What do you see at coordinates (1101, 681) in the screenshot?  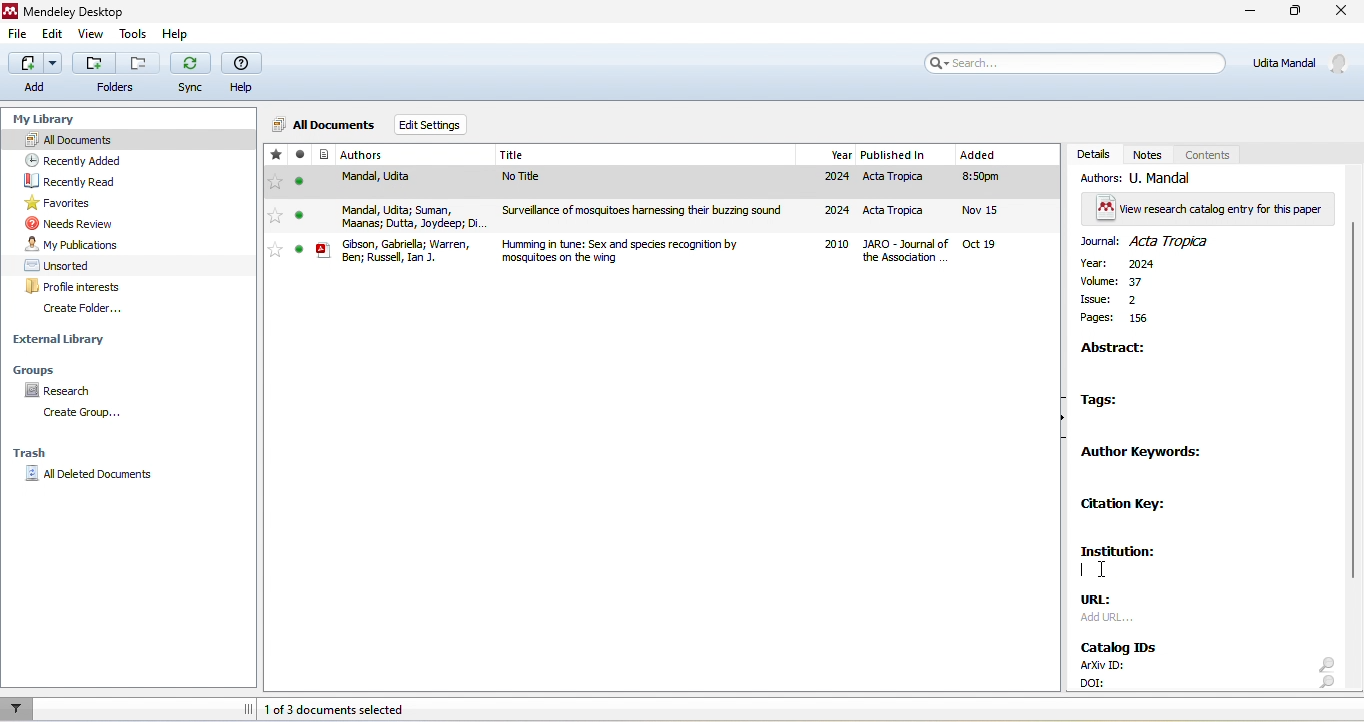 I see `doi` at bounding box center [1101, 681].